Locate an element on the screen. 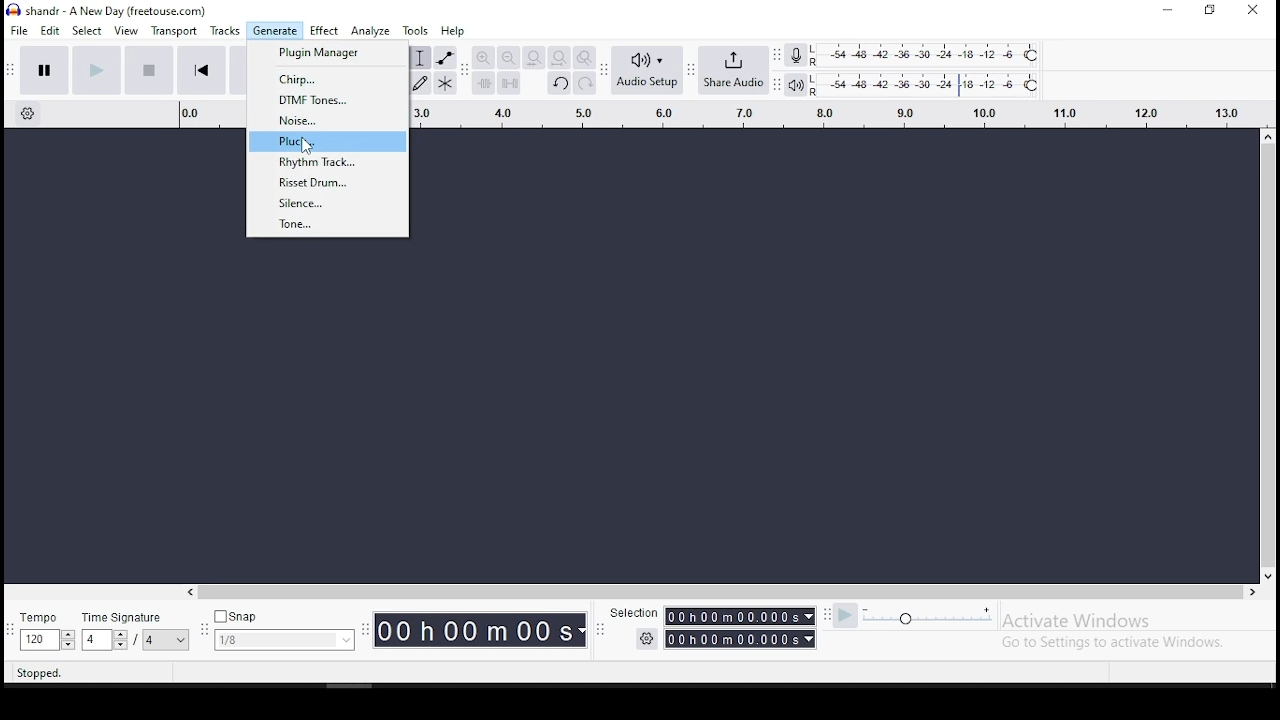 The image size is (1280, 720). zoom out is located at coordinates (508, 58).